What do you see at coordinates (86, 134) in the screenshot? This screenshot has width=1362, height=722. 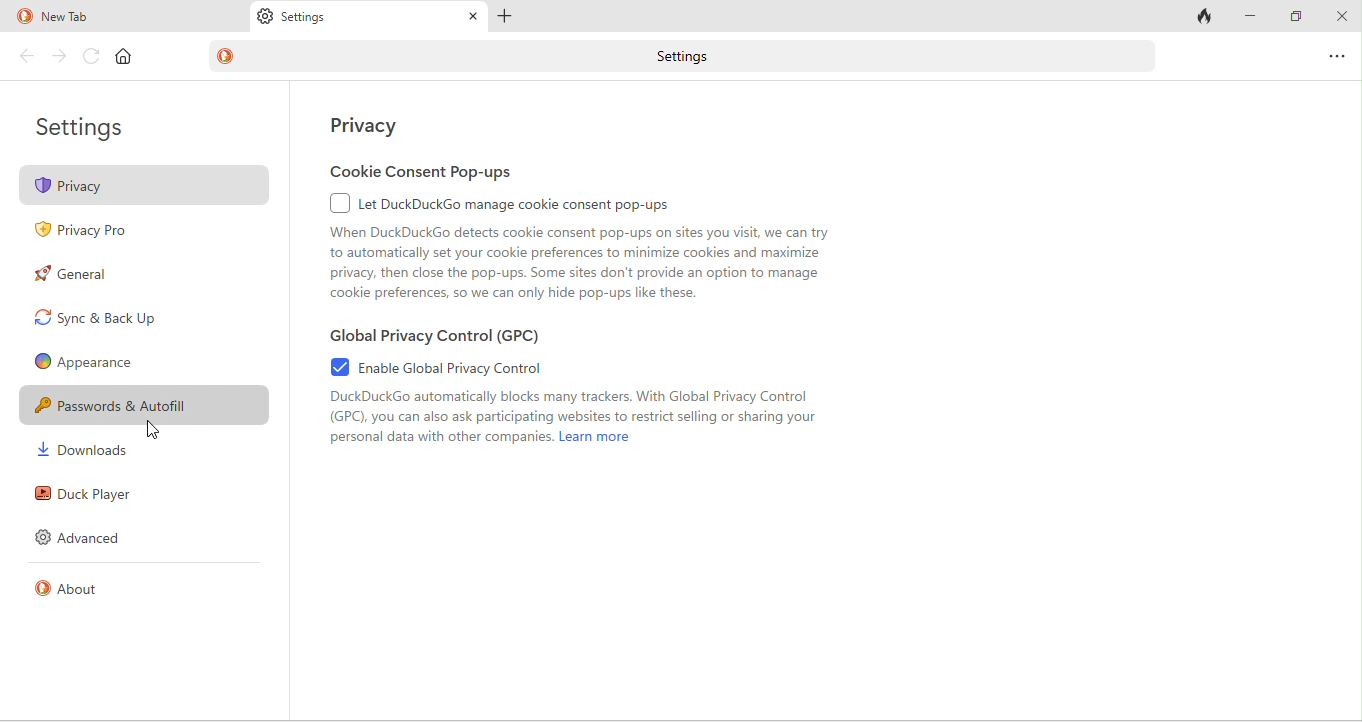 I see `settings` at bounding box center [86, 134].